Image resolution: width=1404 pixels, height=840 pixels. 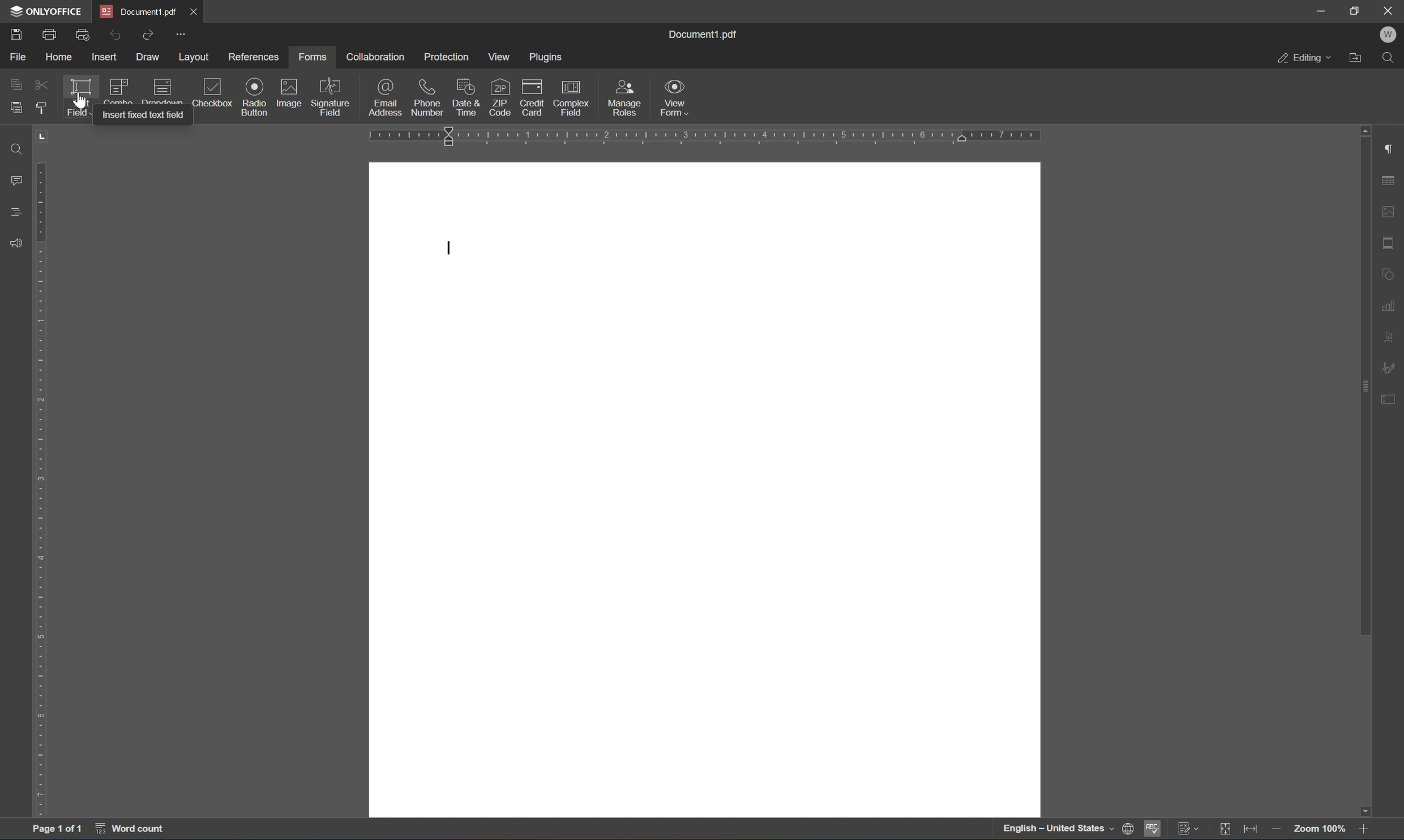 I want to click on checkbox, so click(x=211, y=95).